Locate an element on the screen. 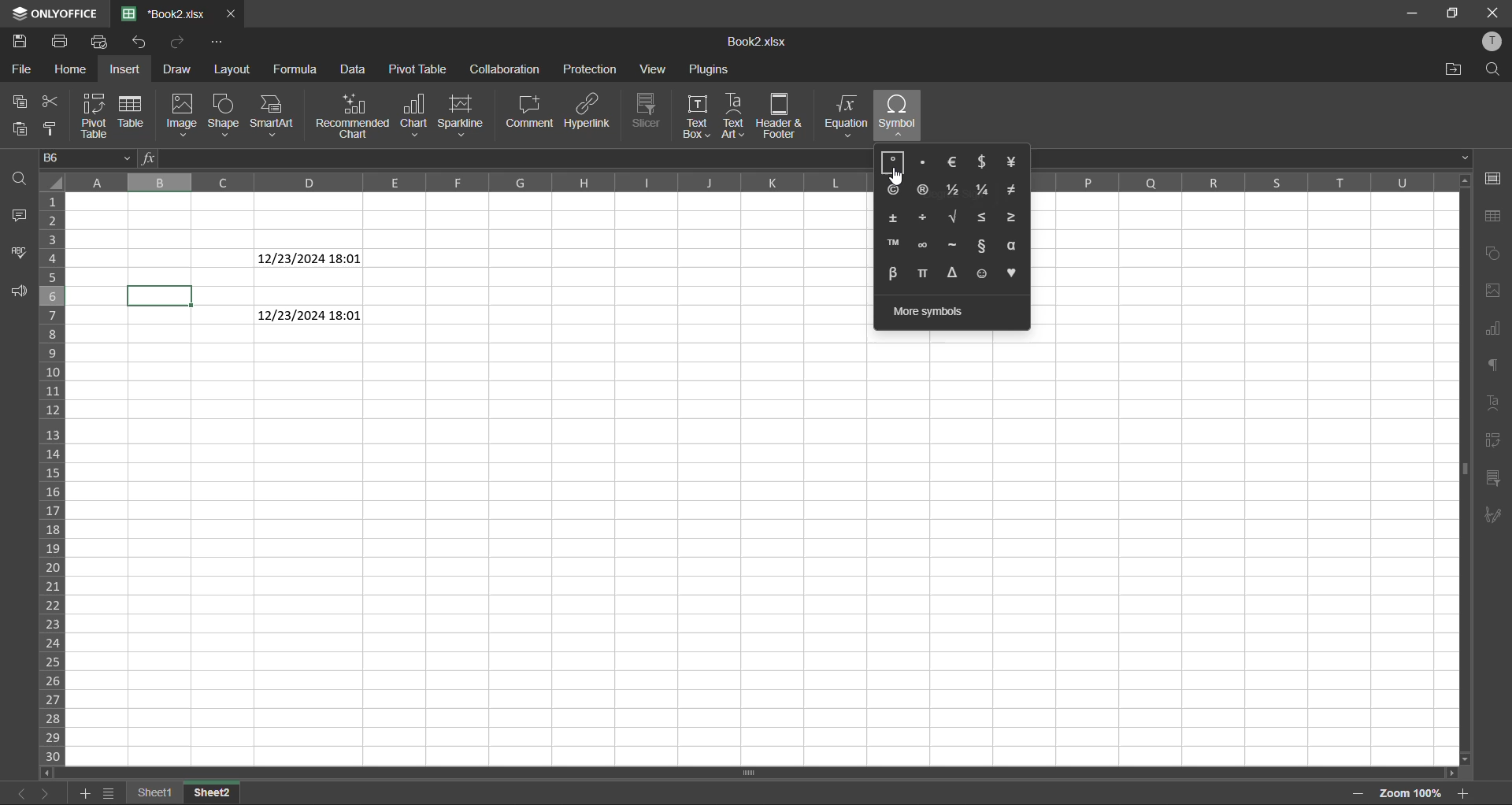  text is located at coordinates (1497, 403).